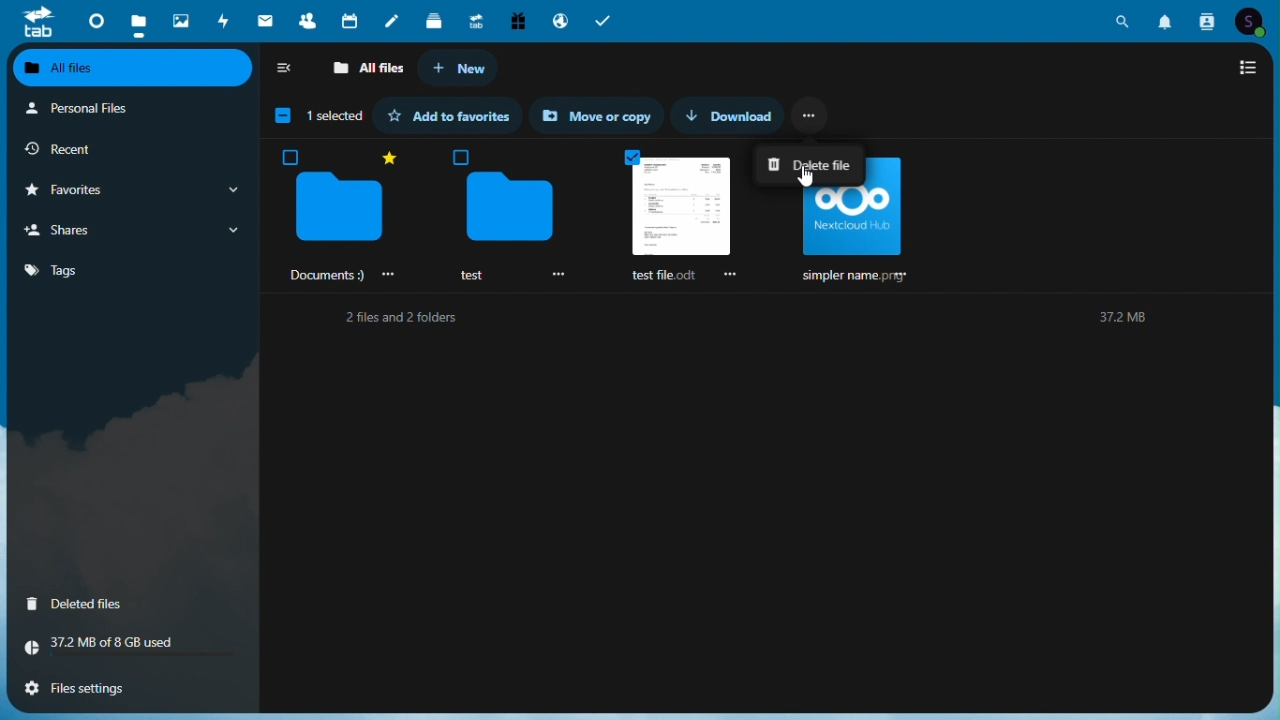 The height and width of the screenshot is (720, 1280). Describe the element at coordinates (123, 605) in the screenshot. I see `Delete files` at that location.